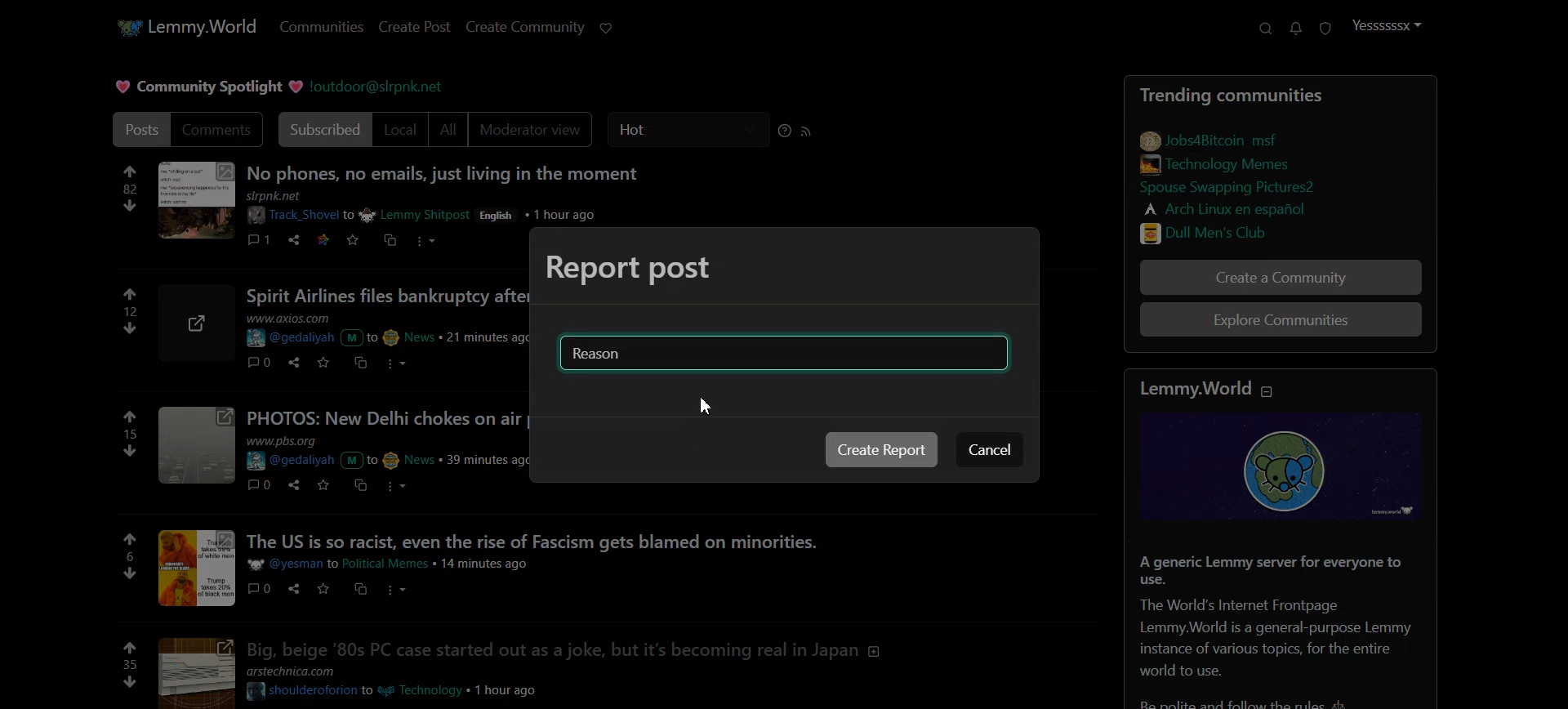 This screenshot has width=1568, height=709. I want to click on Create Community, so click(526, 27).